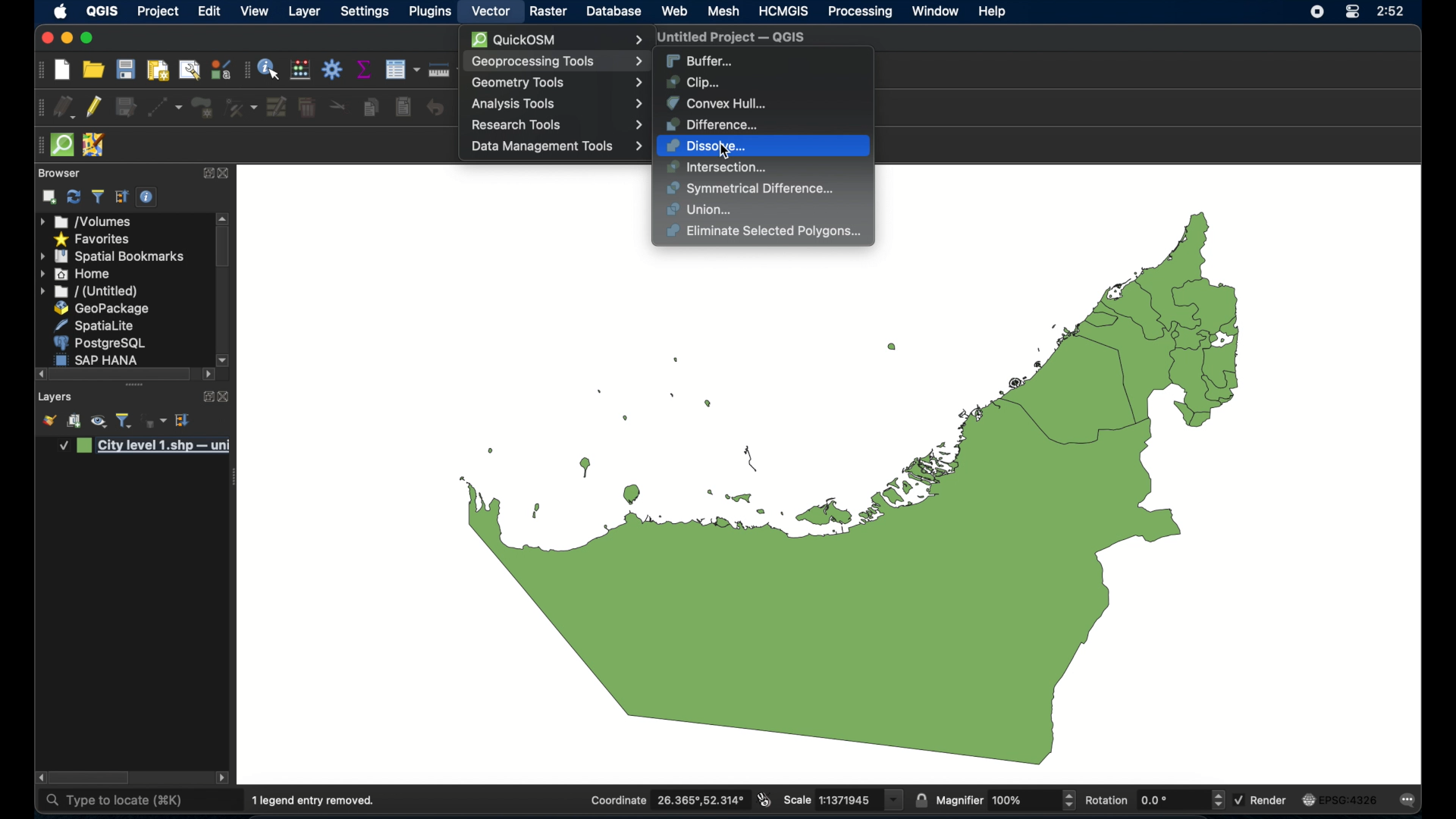 The height and width of the screenshot is (819, 1456). Describe the element at coordinates (556, 104) in the screenshot. I see `analysis tools menu` at that location.